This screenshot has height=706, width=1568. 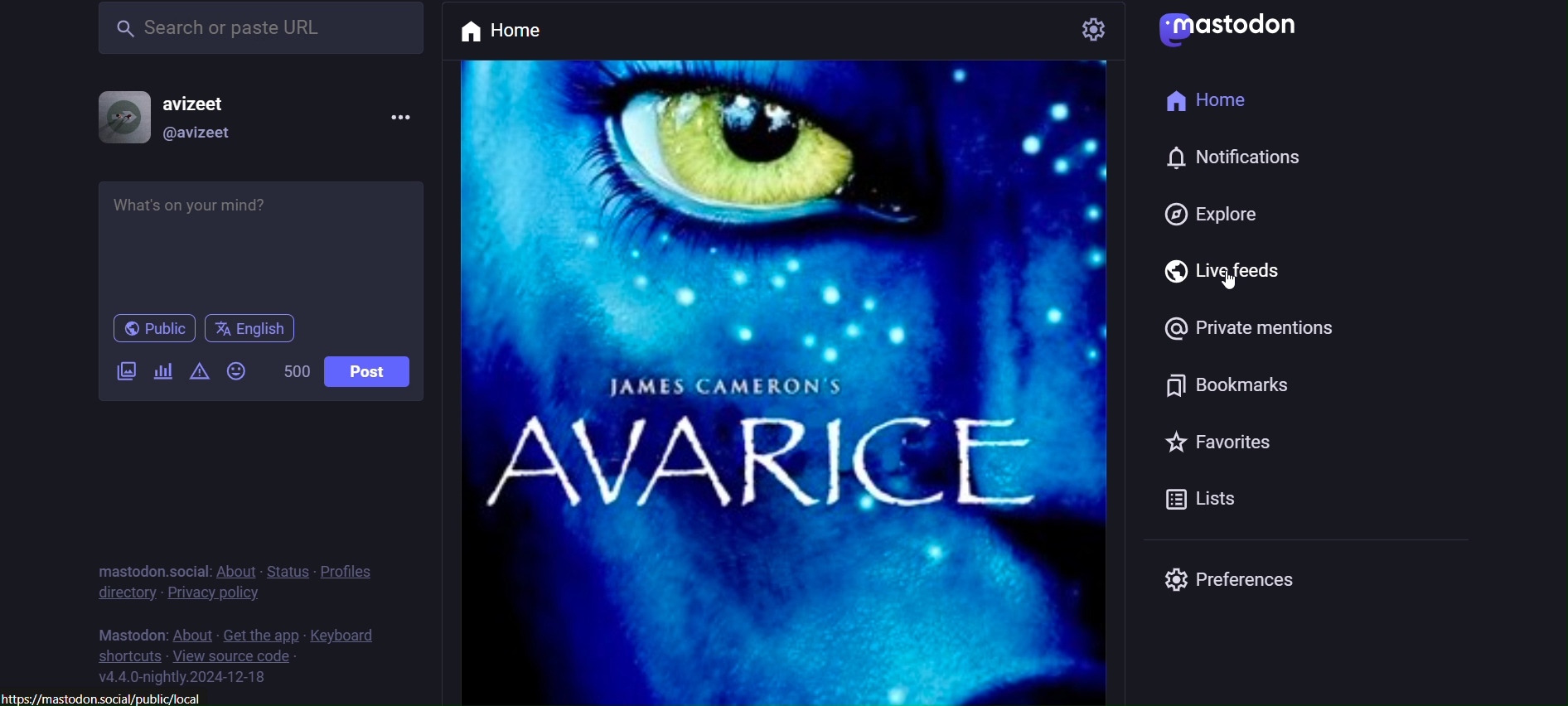 What do you see at coordinates (1233, 288) in the screenshot?
I see `cursor` at bounding box center [1233, 288].